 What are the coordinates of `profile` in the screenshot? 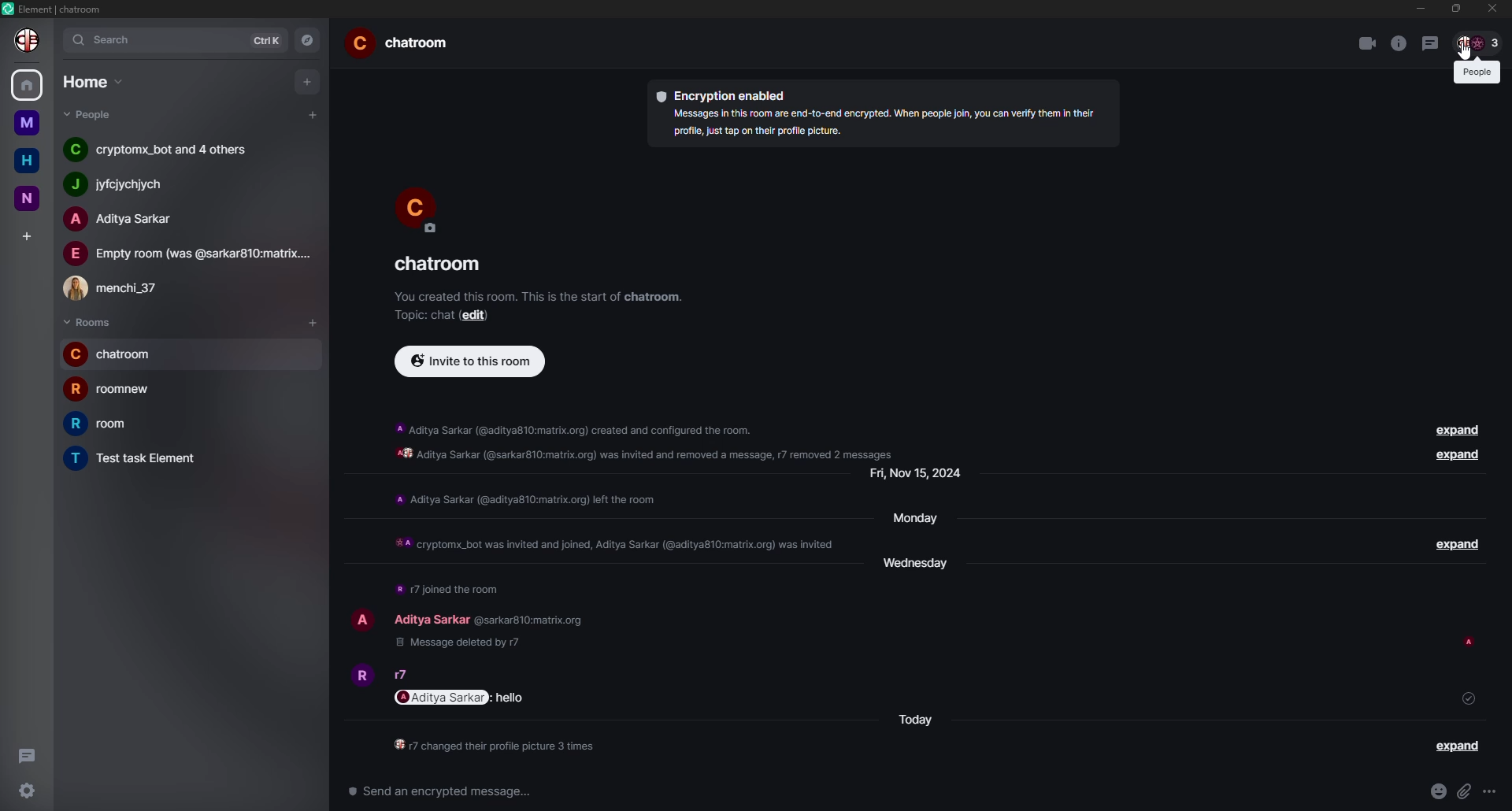 It's located at (362, 617).